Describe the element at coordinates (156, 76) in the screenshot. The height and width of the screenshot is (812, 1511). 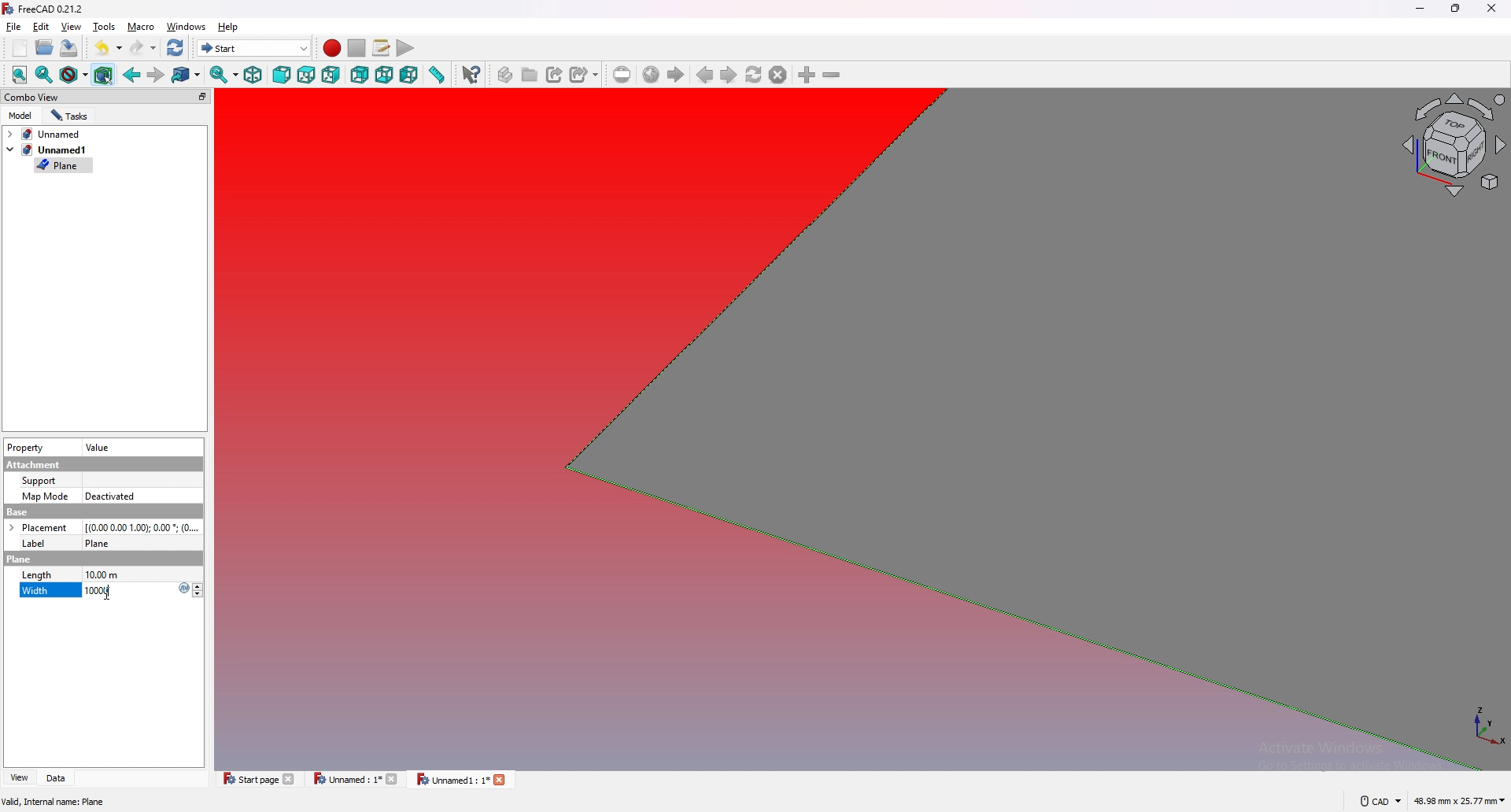
I see `forward` at that location.